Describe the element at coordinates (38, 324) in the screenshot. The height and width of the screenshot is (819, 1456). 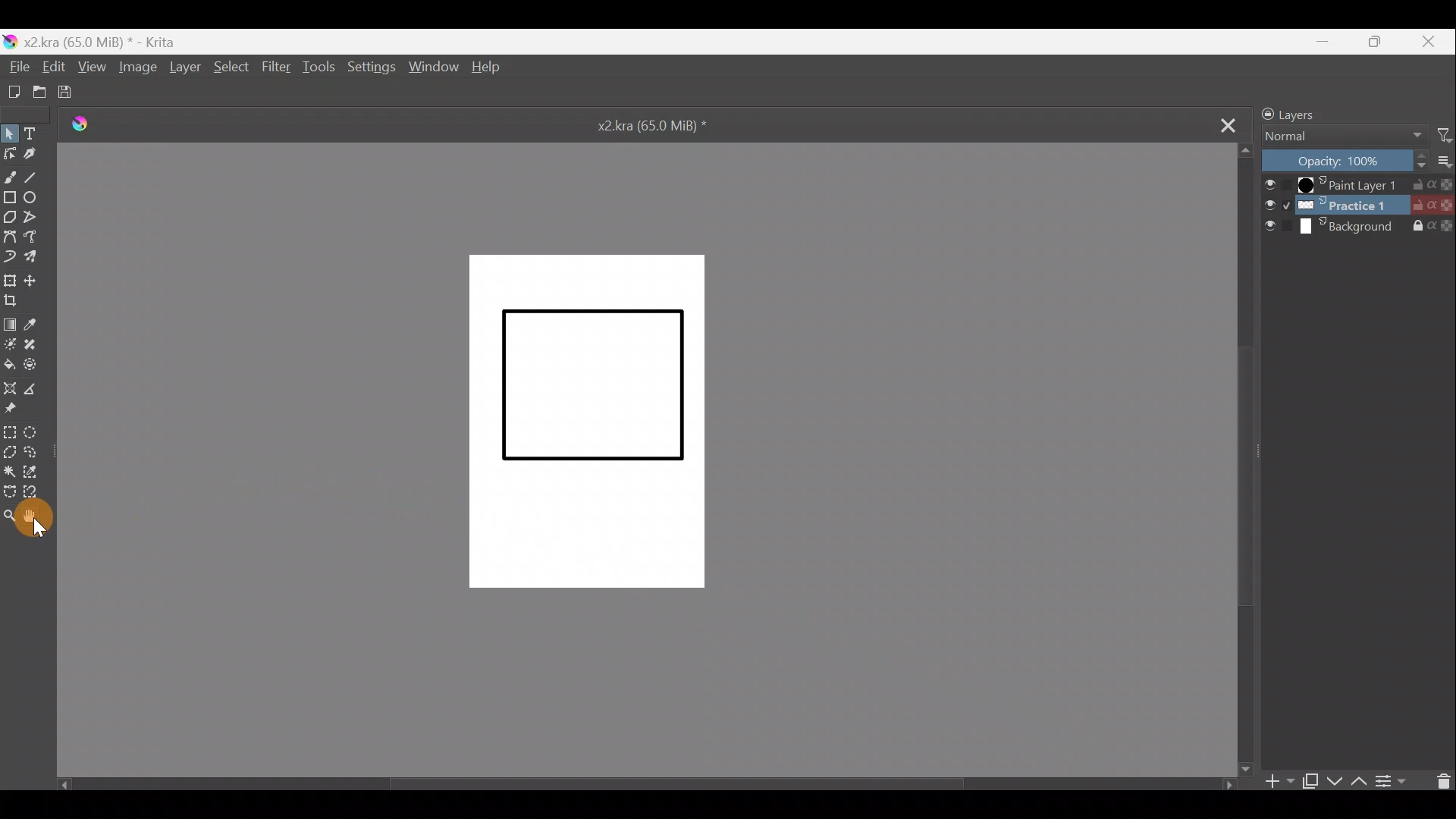
I see `Sample a colour from the image/current layer` at that location.